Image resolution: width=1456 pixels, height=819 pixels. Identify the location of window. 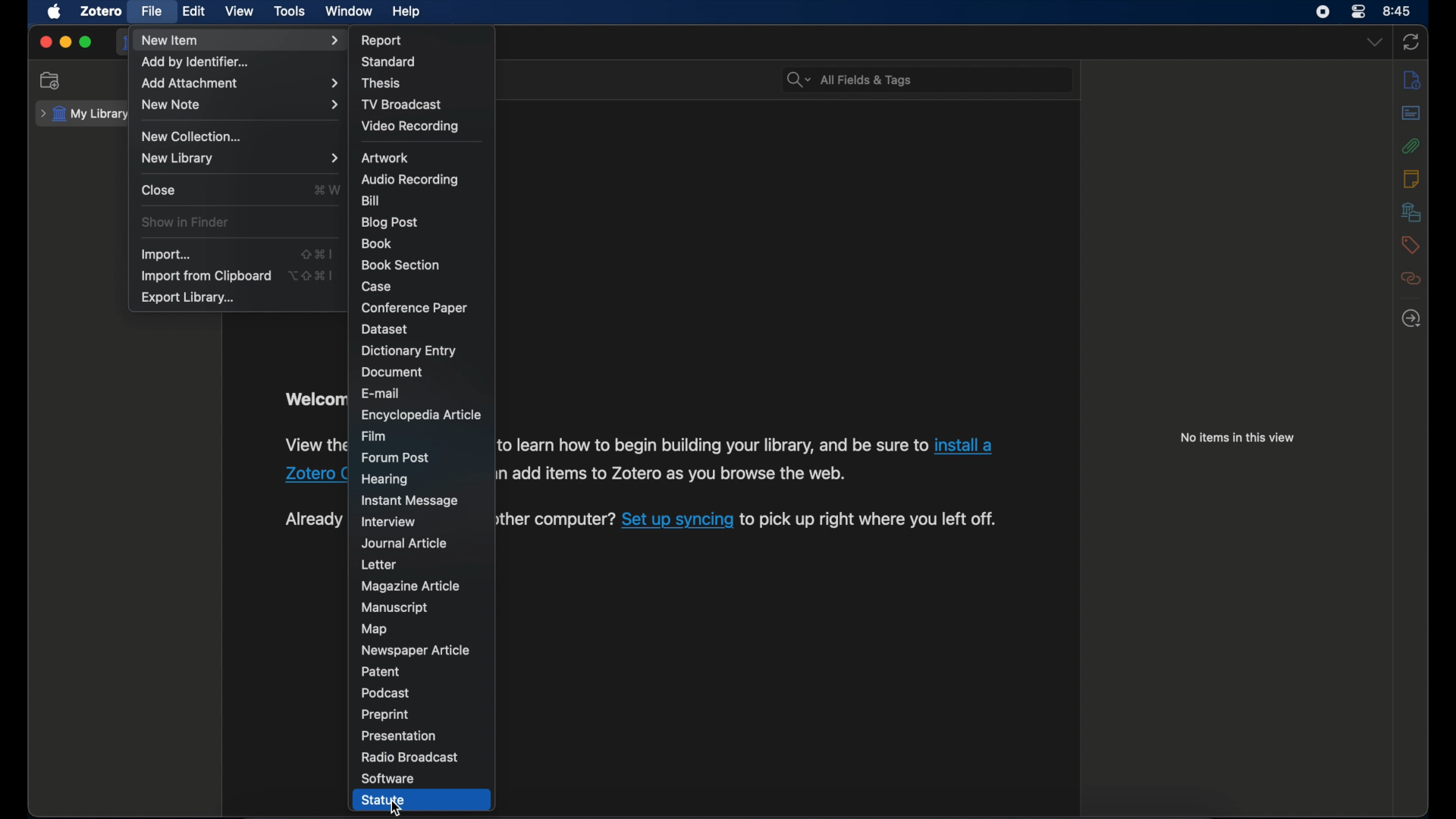
(350, 11).